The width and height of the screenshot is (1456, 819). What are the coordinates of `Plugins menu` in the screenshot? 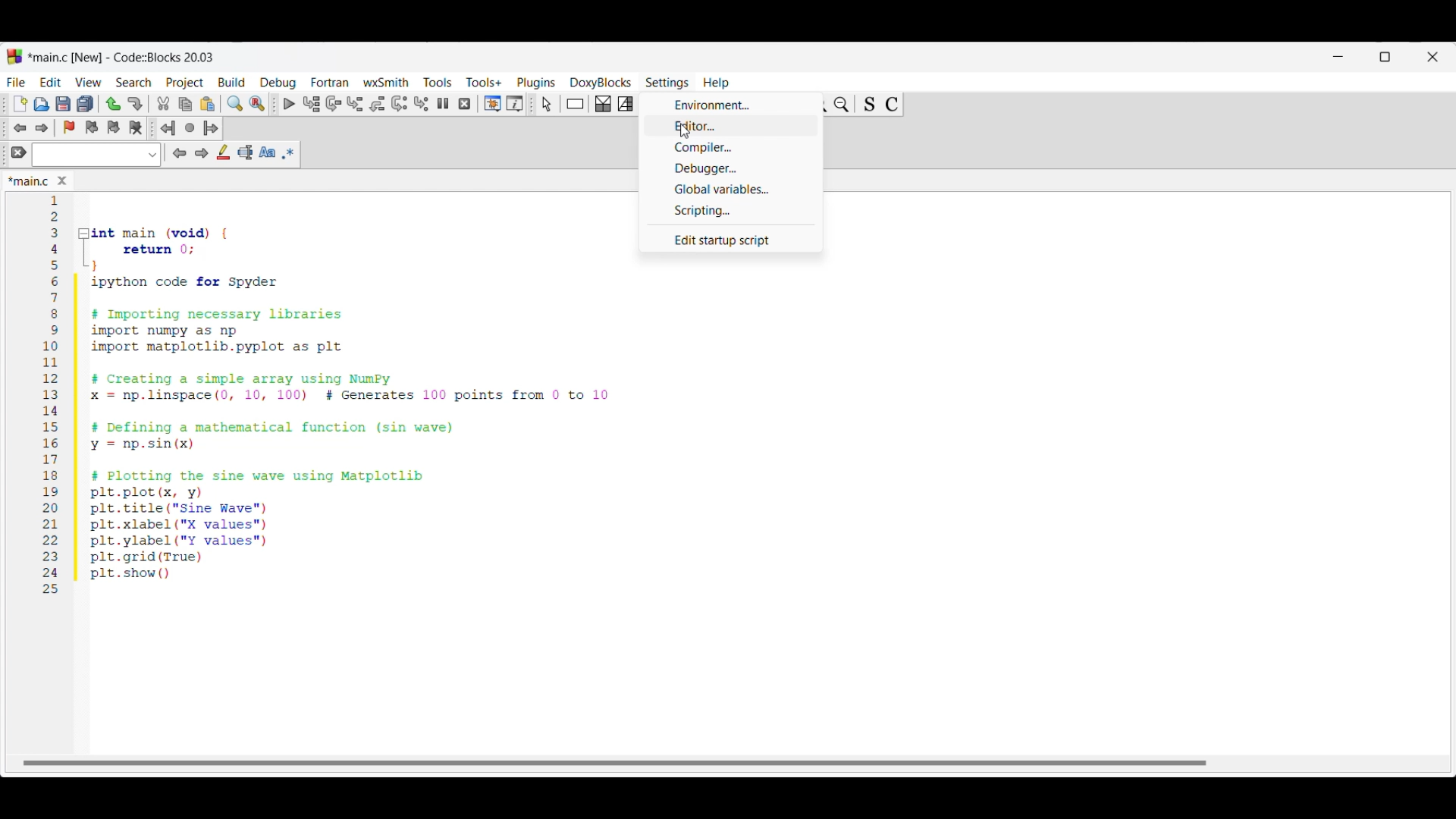 It's located at (536, 83).